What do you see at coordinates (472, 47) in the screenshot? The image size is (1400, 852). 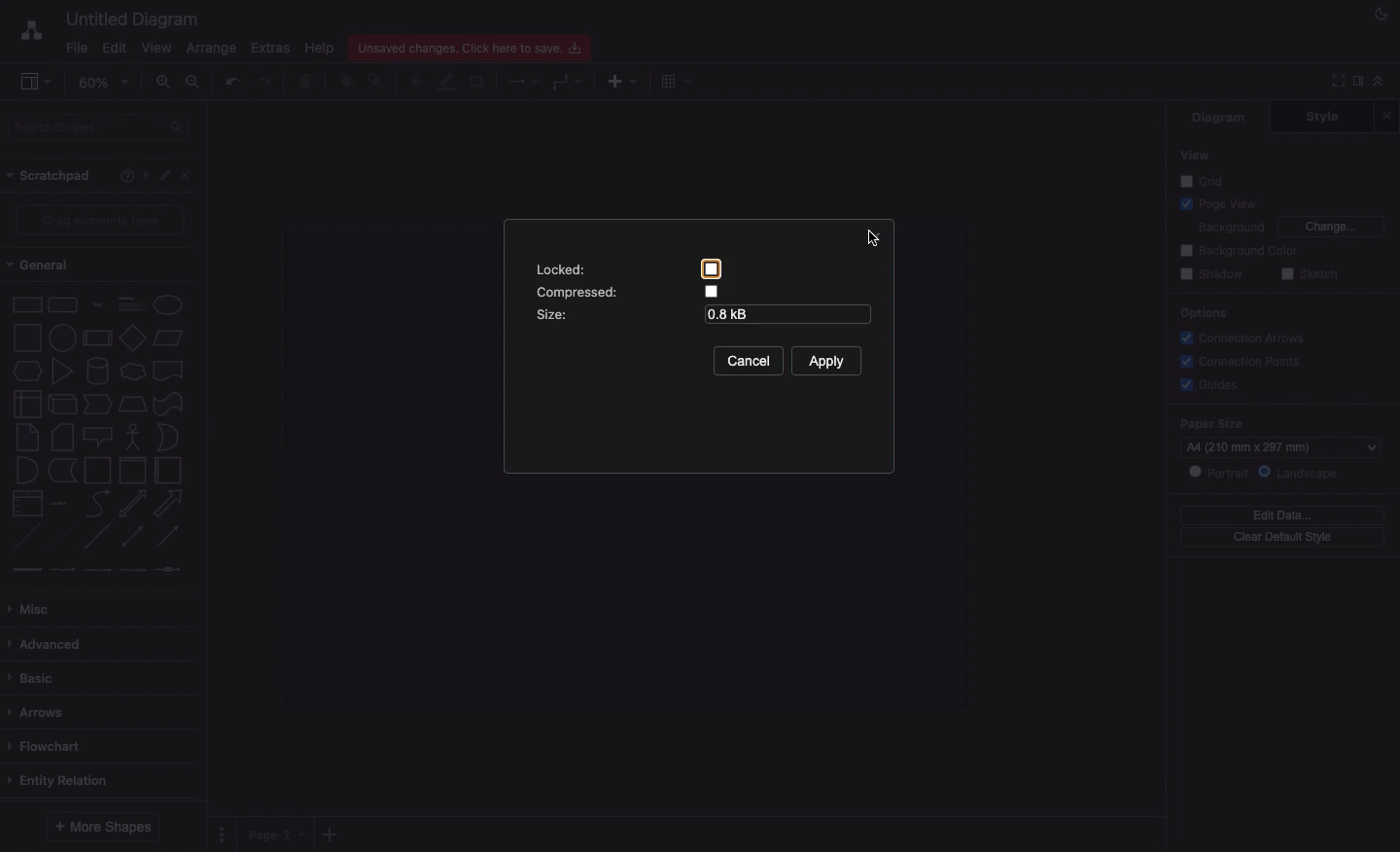 I see `Unsaved changes. Click here to save` at bounding box center [472, 47].